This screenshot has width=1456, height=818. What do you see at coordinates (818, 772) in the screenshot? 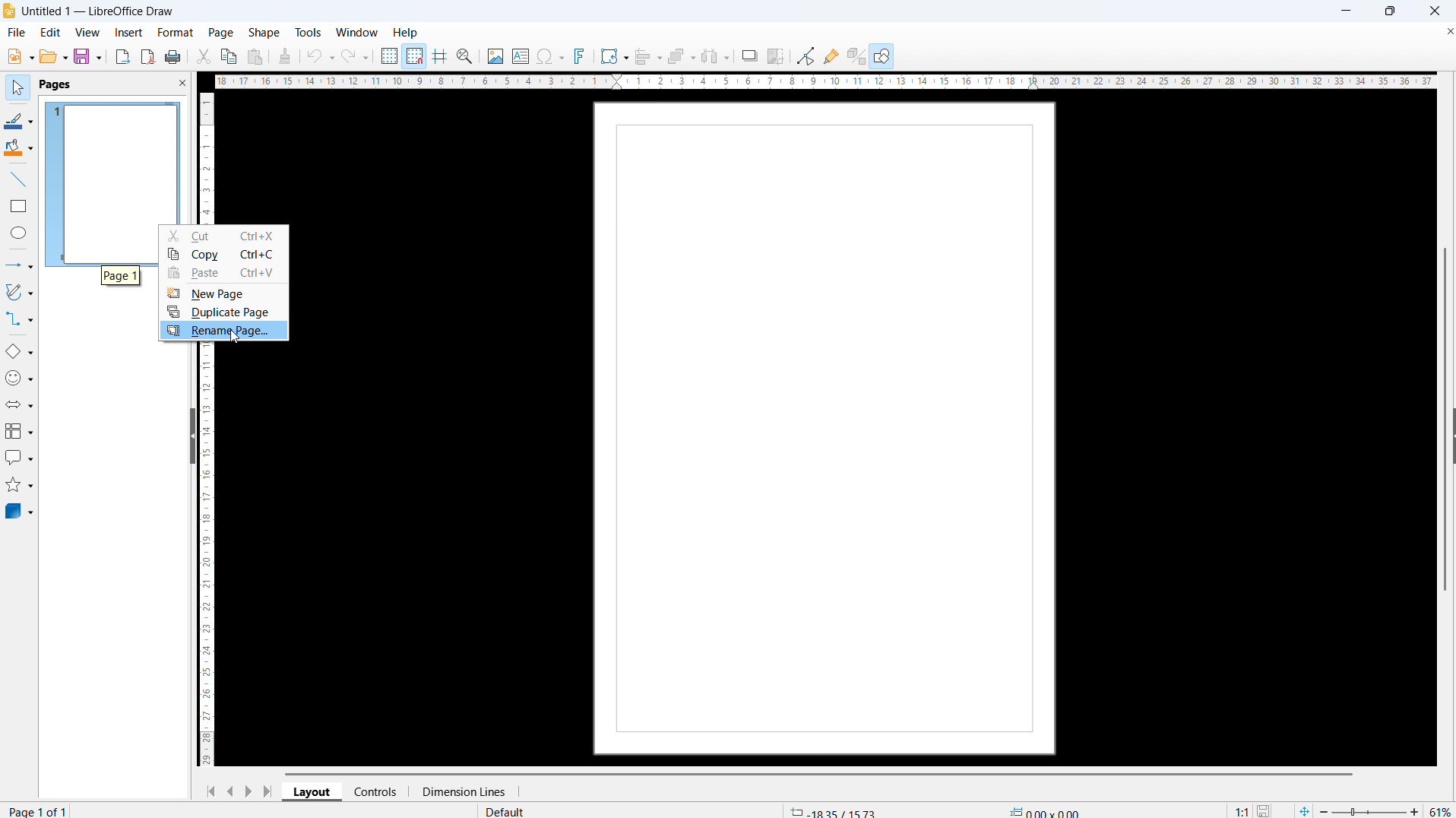
I see `Horizontal scroll bar ` at bounding box center [818, 772].